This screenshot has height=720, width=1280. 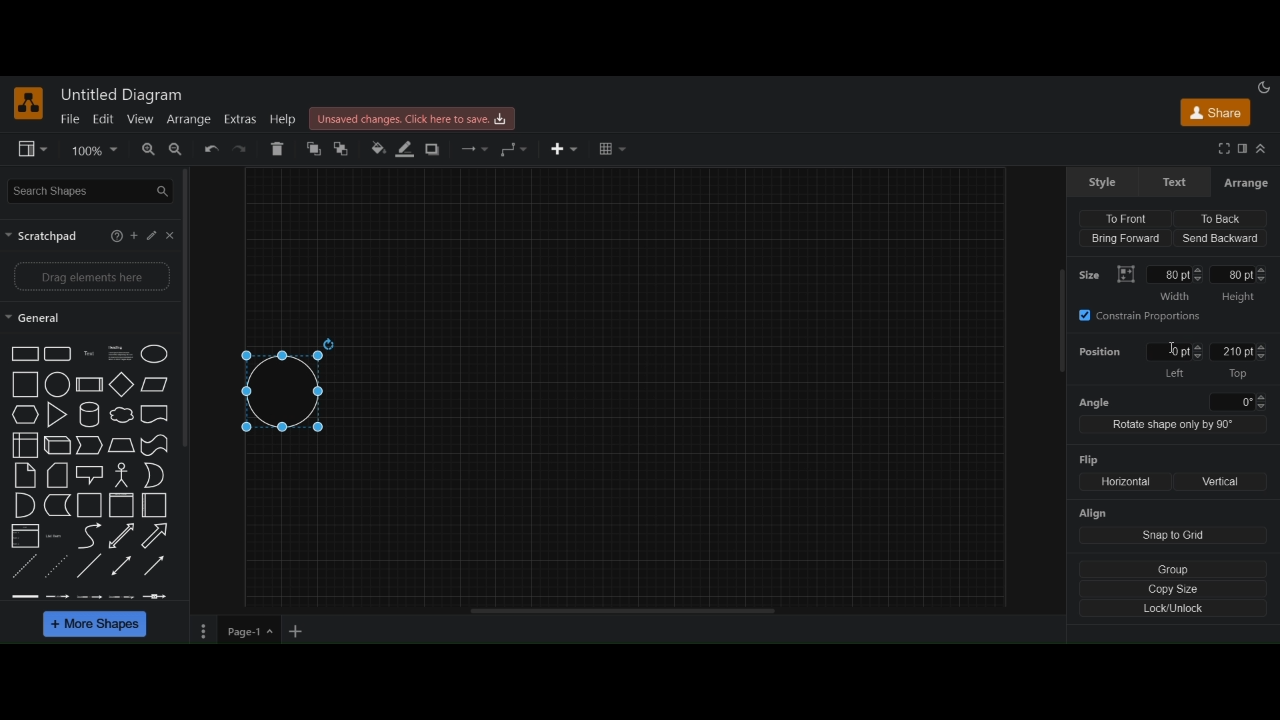 I want to click on group, so click(x=1174, y=568).